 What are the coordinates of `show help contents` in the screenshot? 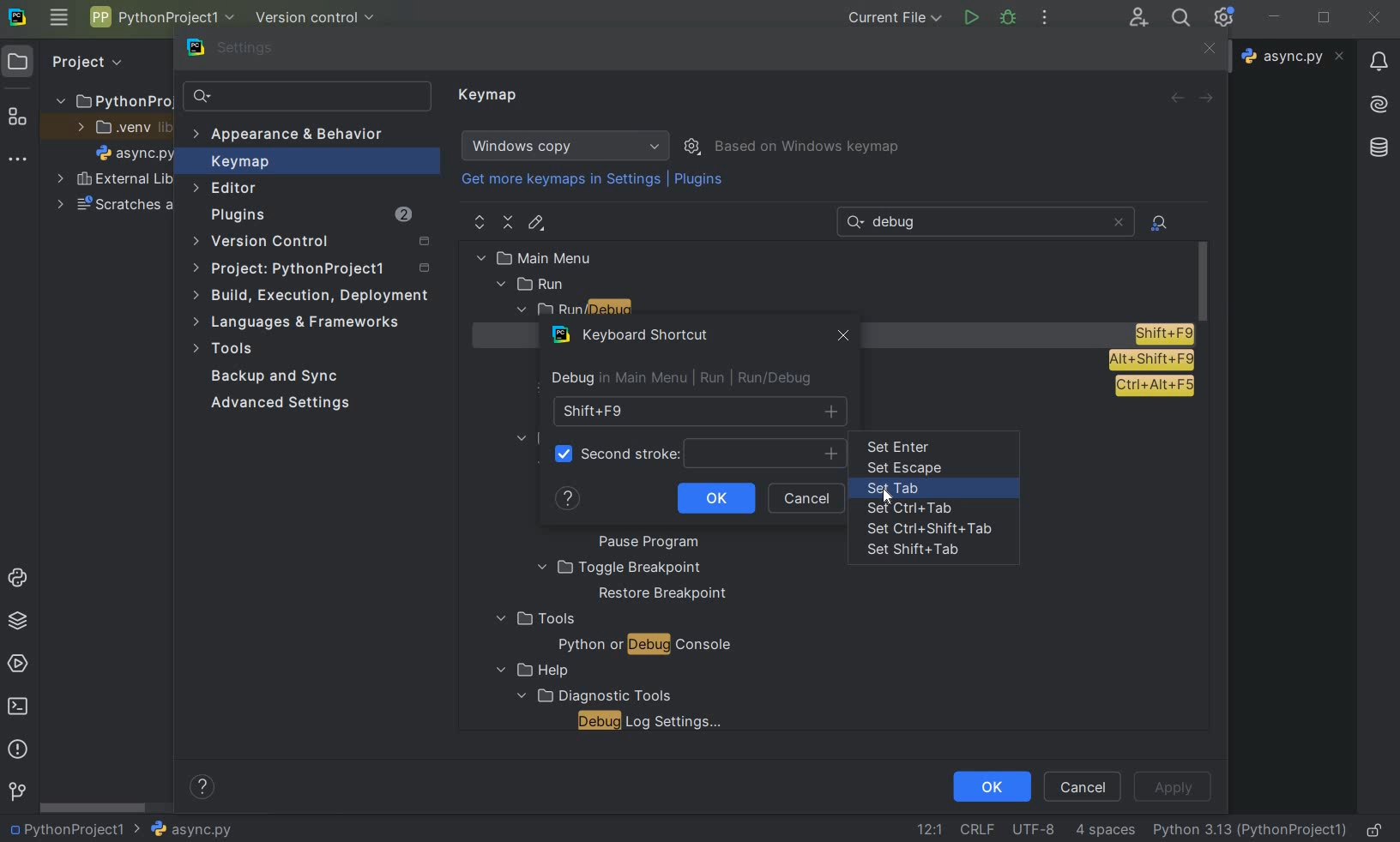 It's located at (202, 790).